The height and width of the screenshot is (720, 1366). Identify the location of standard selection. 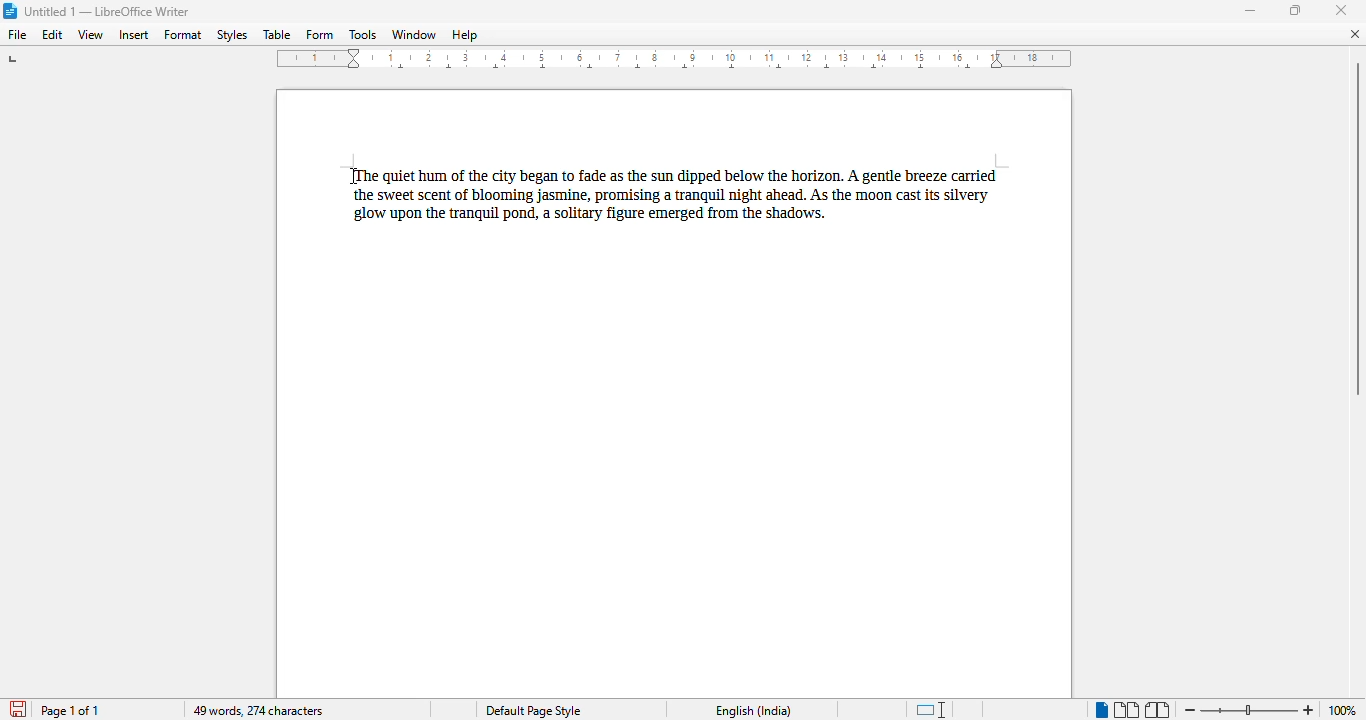
(931, 709).